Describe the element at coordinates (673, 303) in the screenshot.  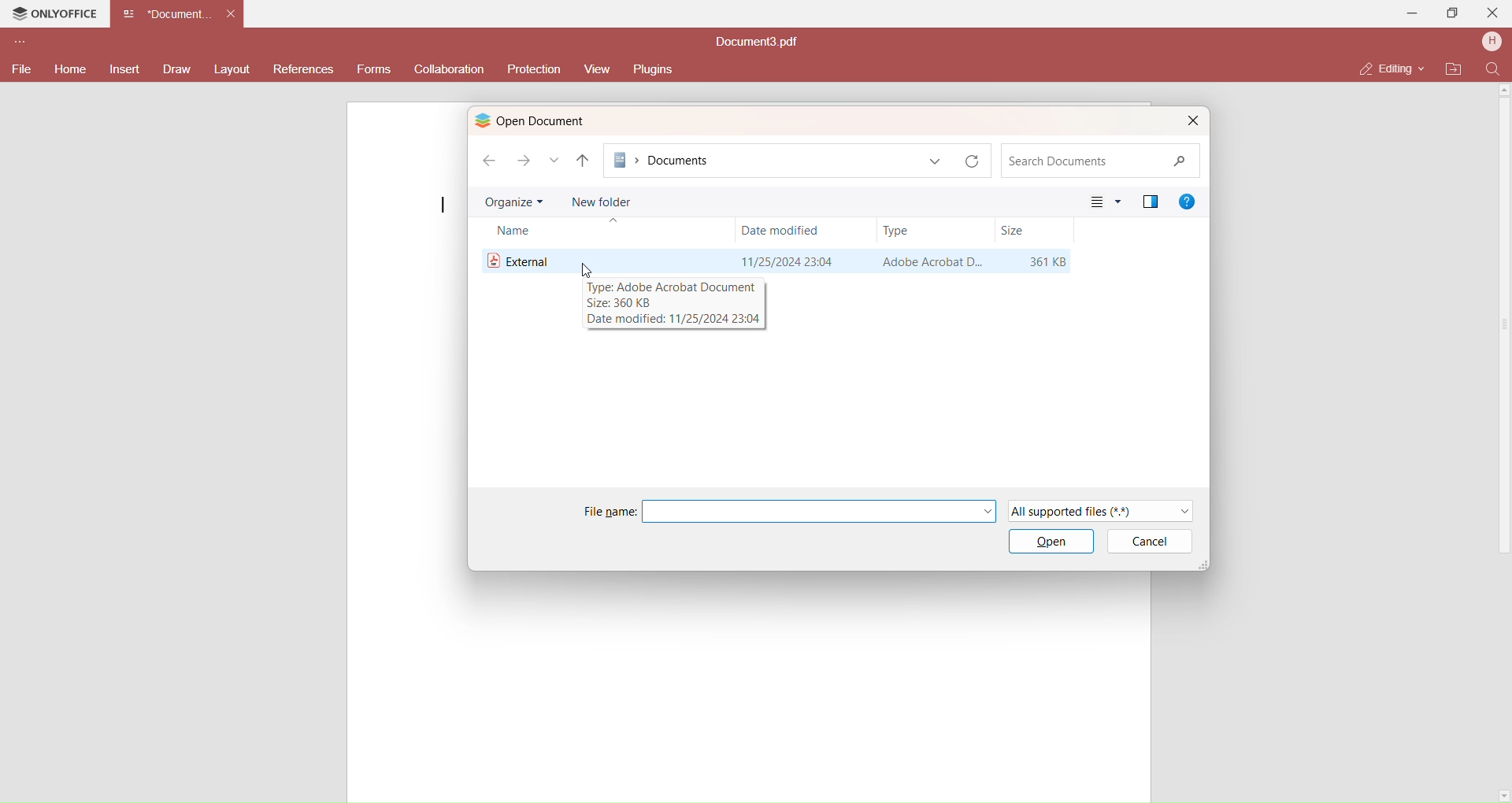
I see `Information` at that location.